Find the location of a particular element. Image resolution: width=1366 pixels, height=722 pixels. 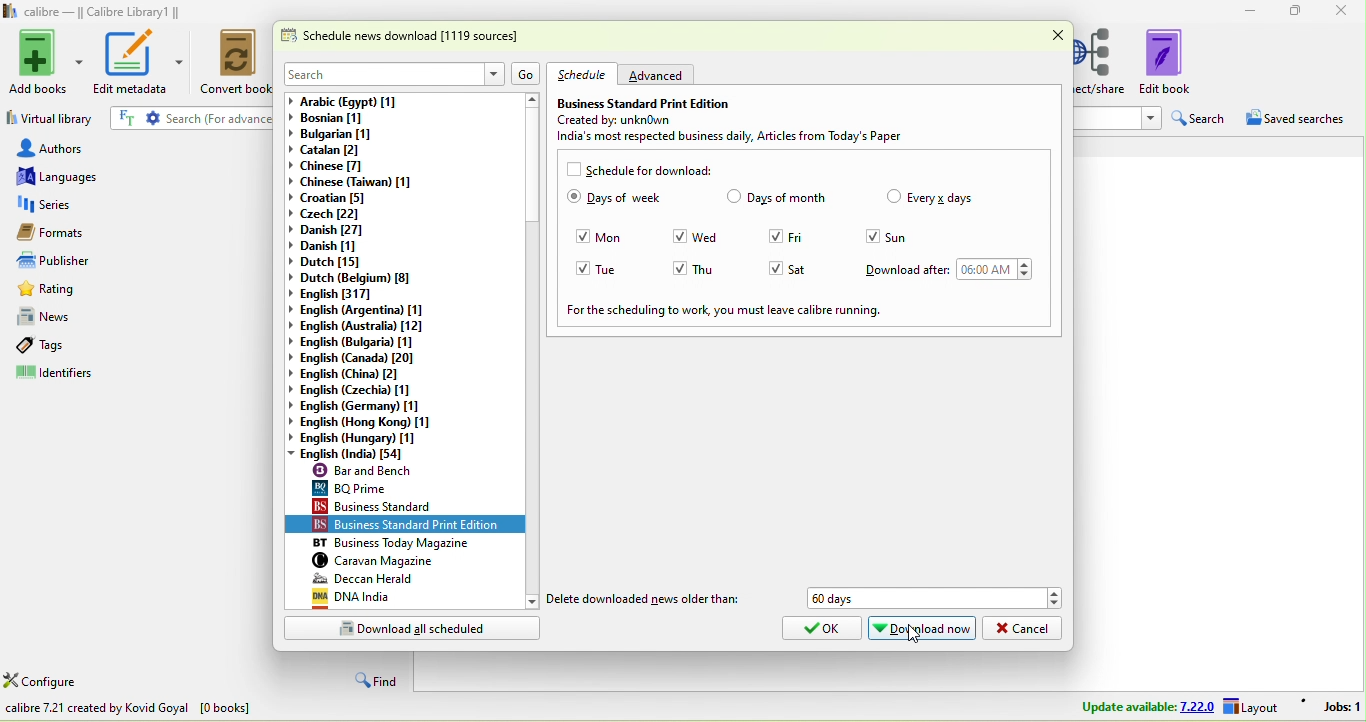

deccan herald is located at coordinates (411, 578).